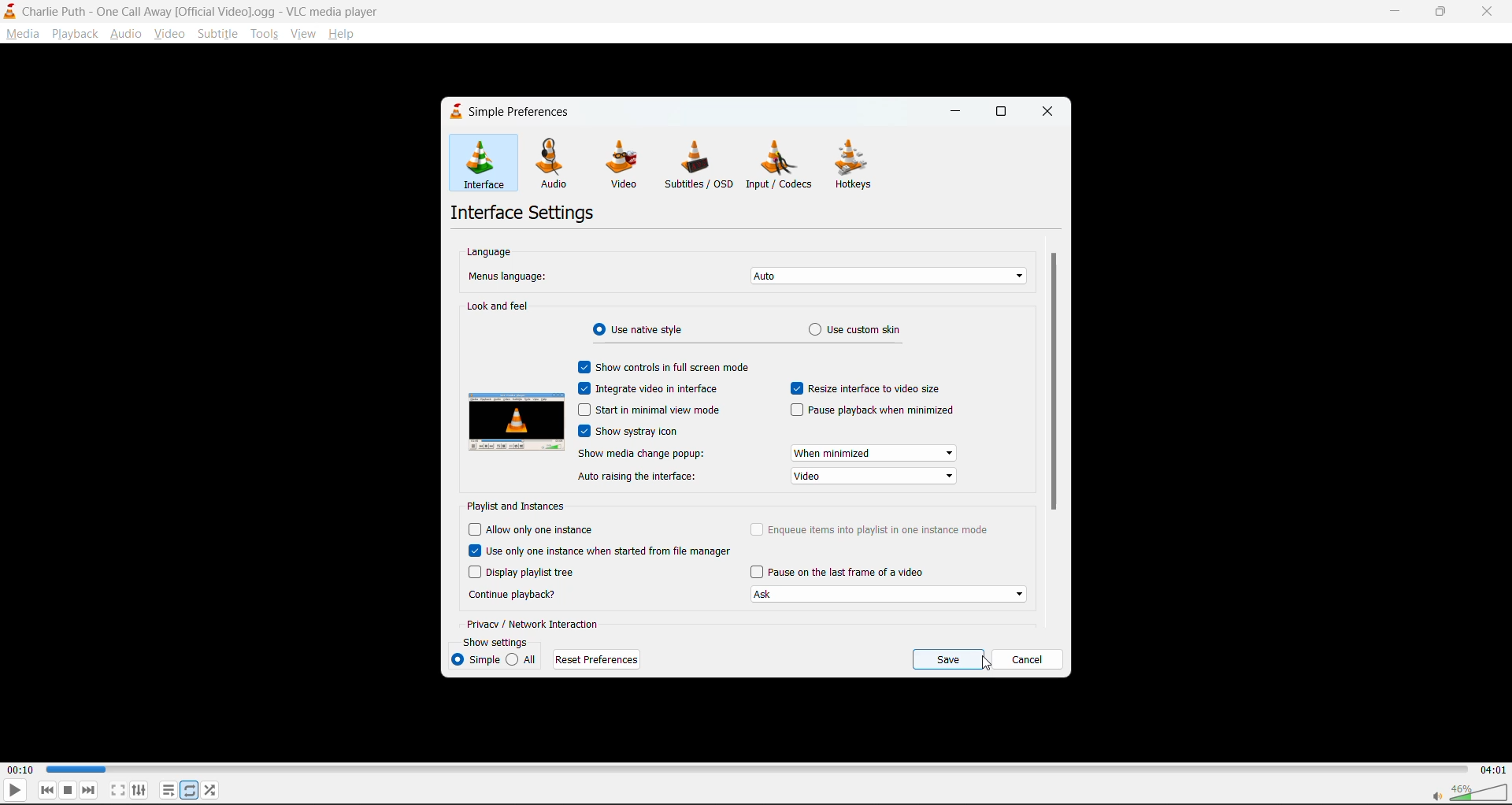 This screenshot has height=805, width=1512. I want to click on pause on last frame of video, so click(851, 573).